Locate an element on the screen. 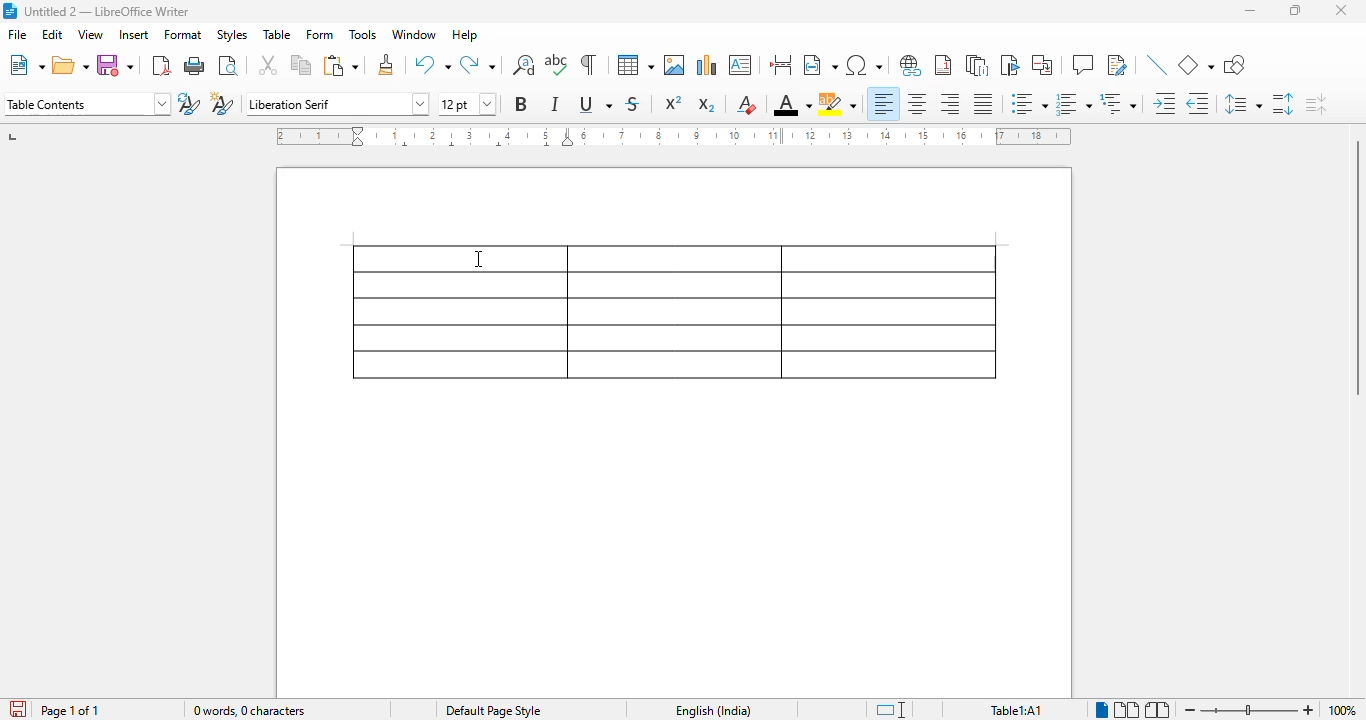  file is located at coordinates (17, 33).